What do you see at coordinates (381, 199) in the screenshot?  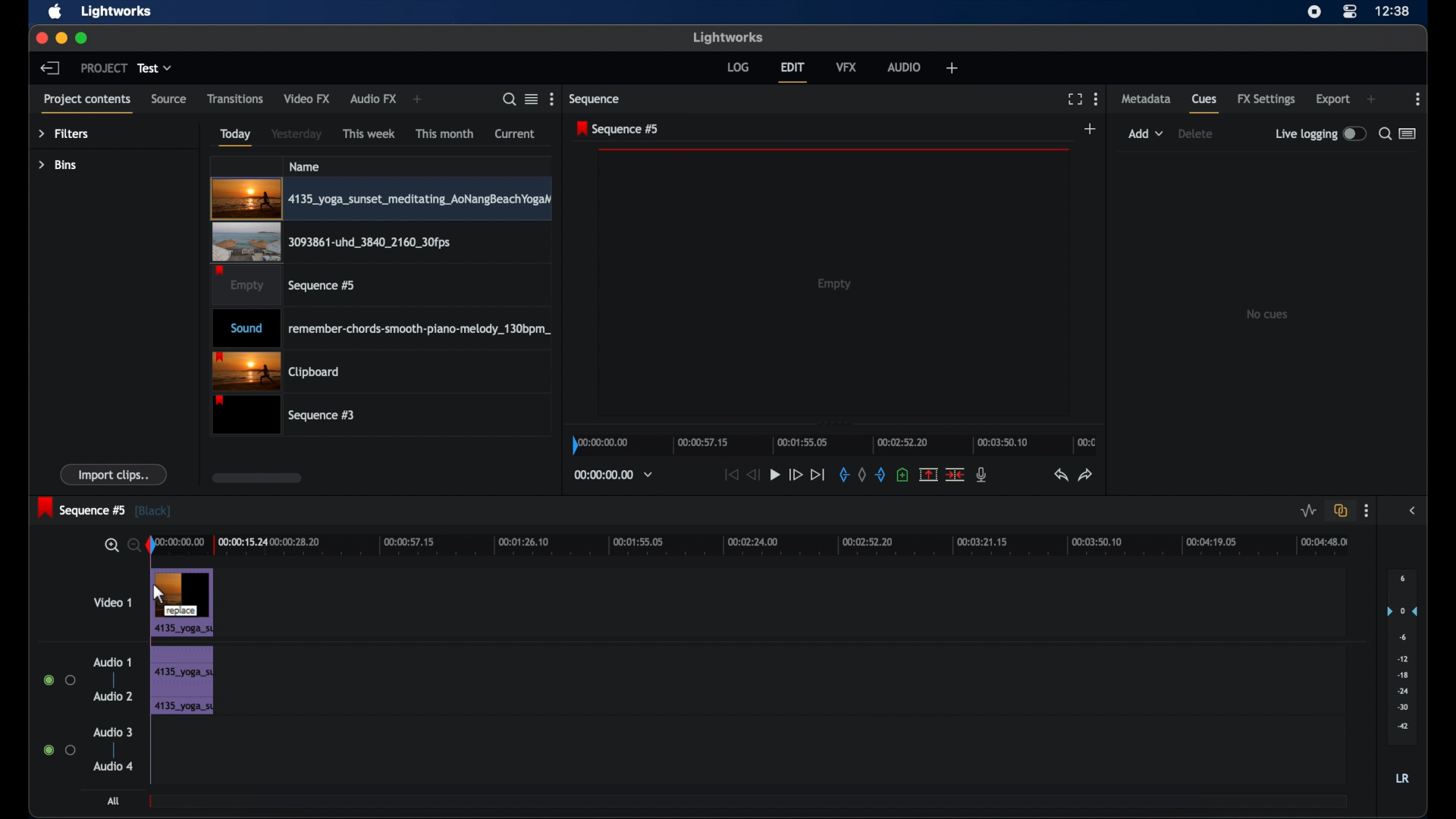 I see `video clip` at bounding box center [381, 199].